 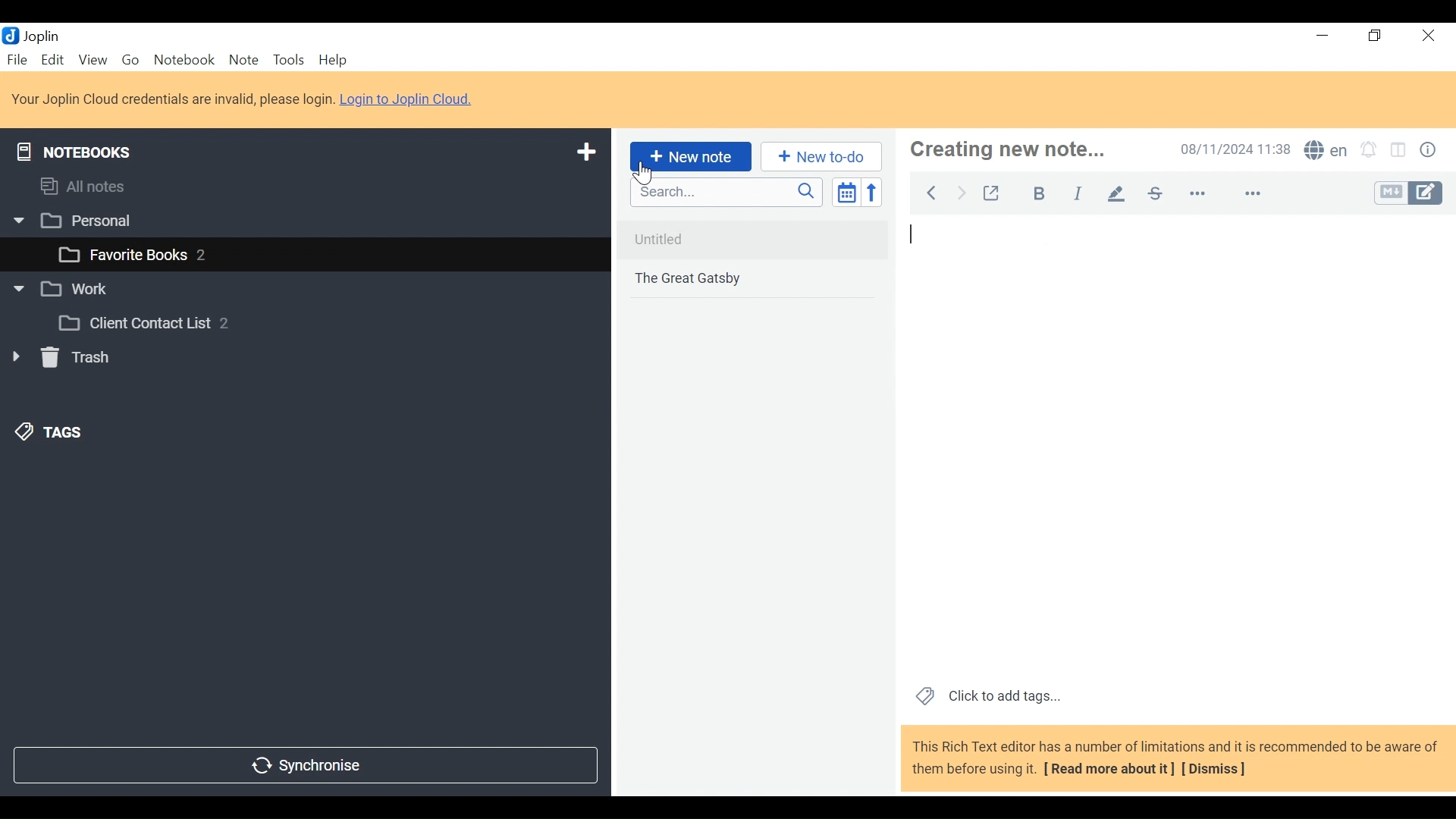 I want to click on Toggle external editing, so click(x=993, y=193).